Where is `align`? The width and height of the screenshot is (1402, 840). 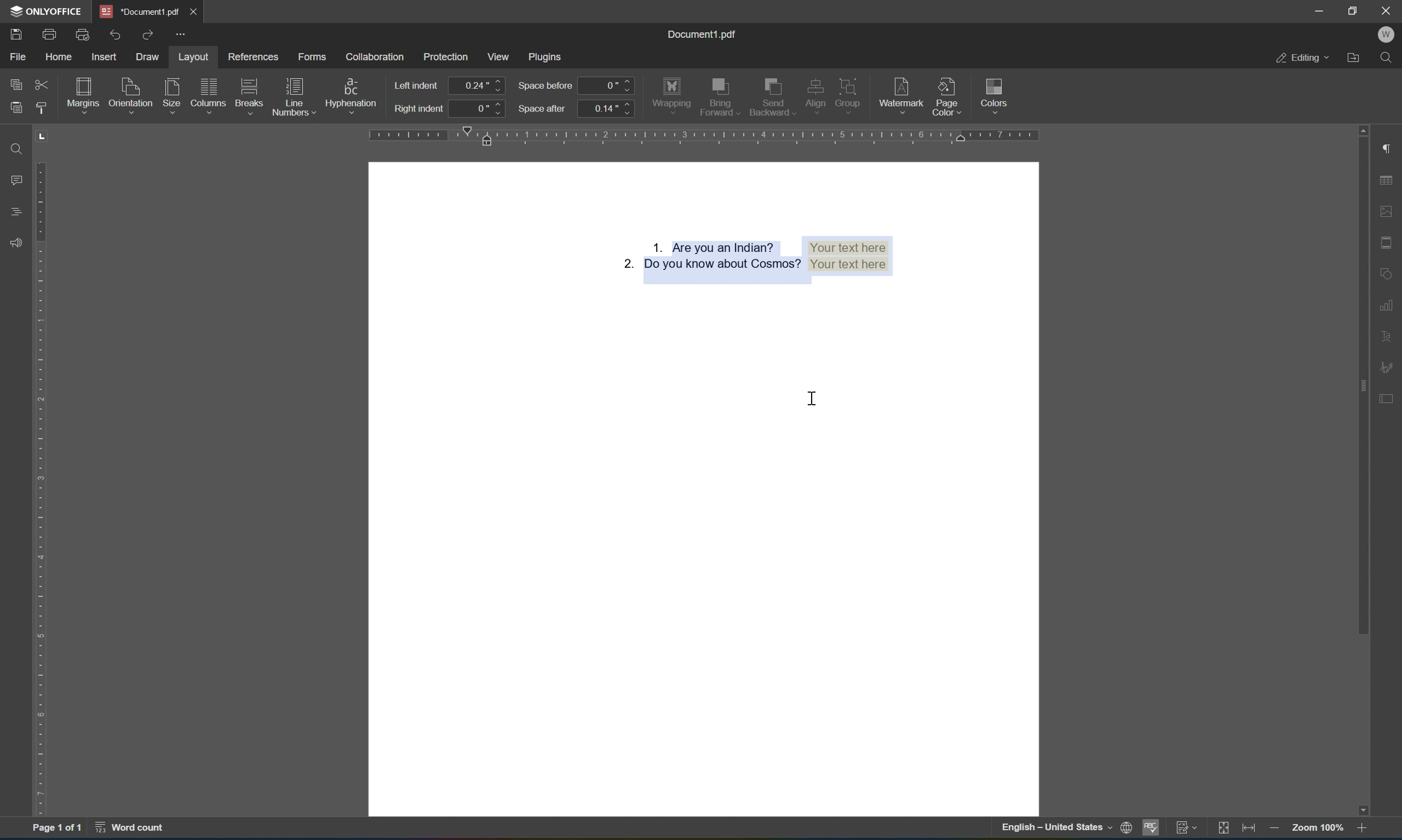
align is located at coordinates (815, 93).